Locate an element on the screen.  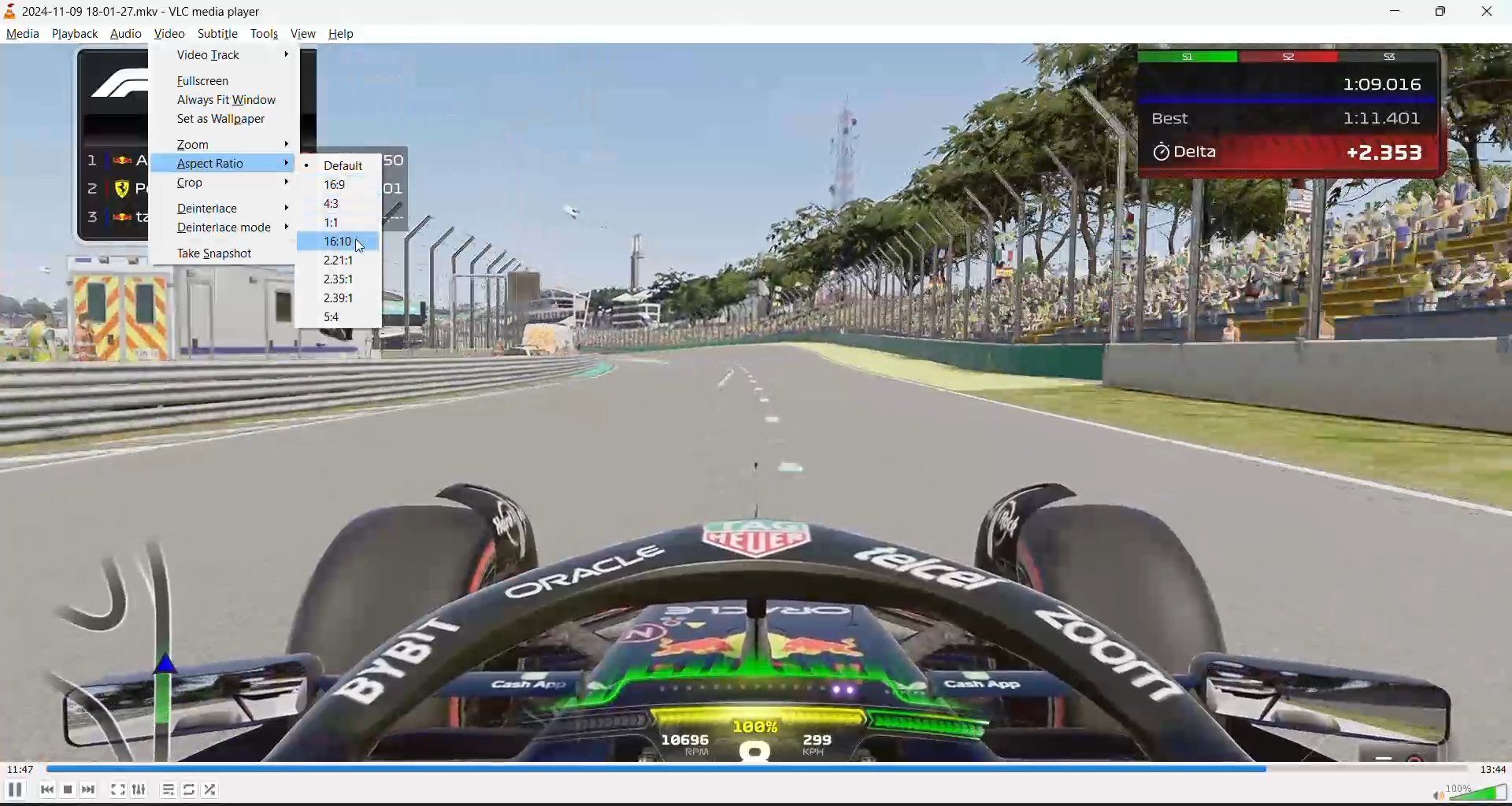
fullscreen is located at coordinates (119, 786).